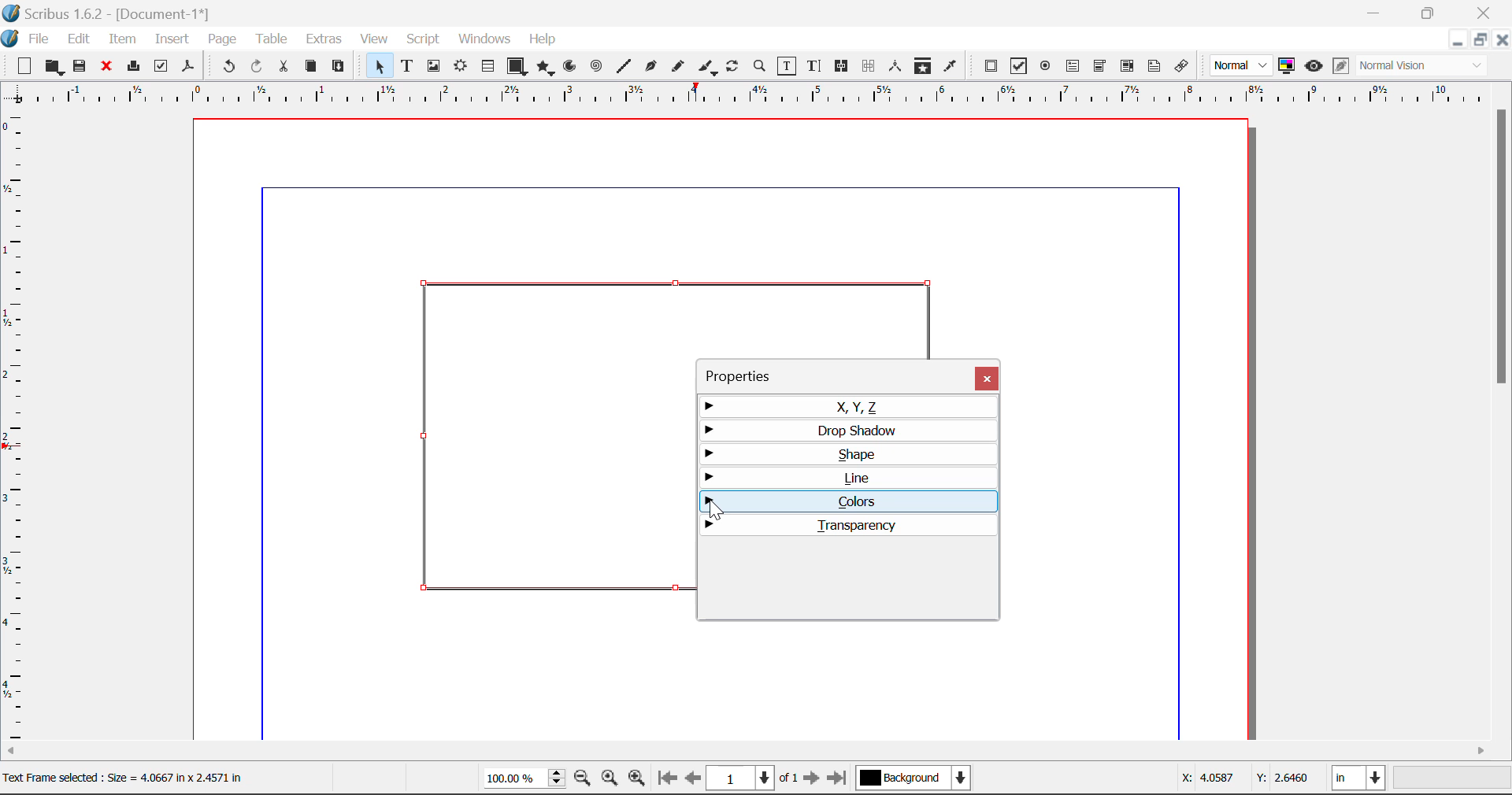  Describe the element at coordinates (517, 65) in the screenshot. I see `Shapes` at that location.